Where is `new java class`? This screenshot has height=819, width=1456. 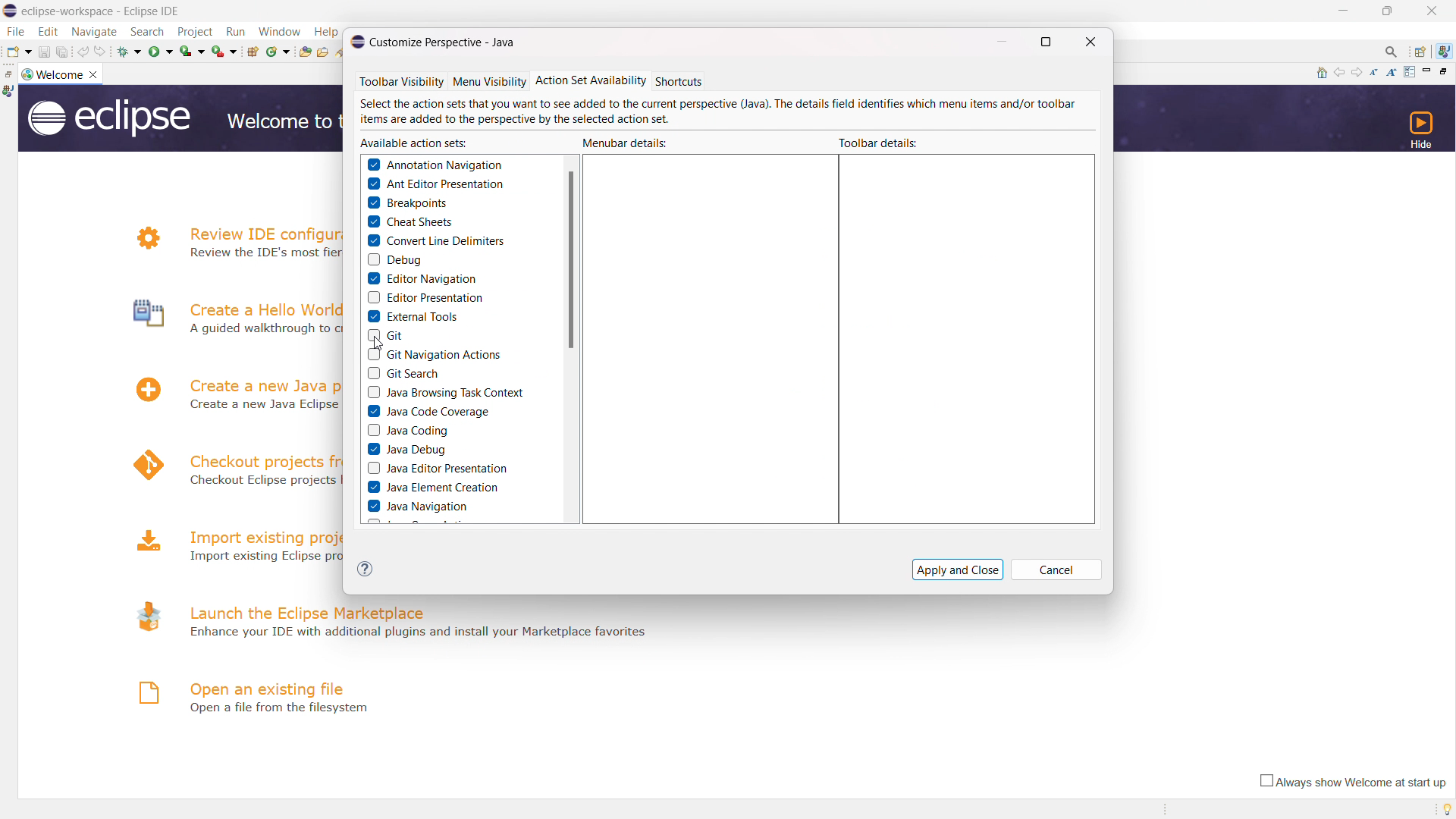
new java class is located at coordinates (278, 52).